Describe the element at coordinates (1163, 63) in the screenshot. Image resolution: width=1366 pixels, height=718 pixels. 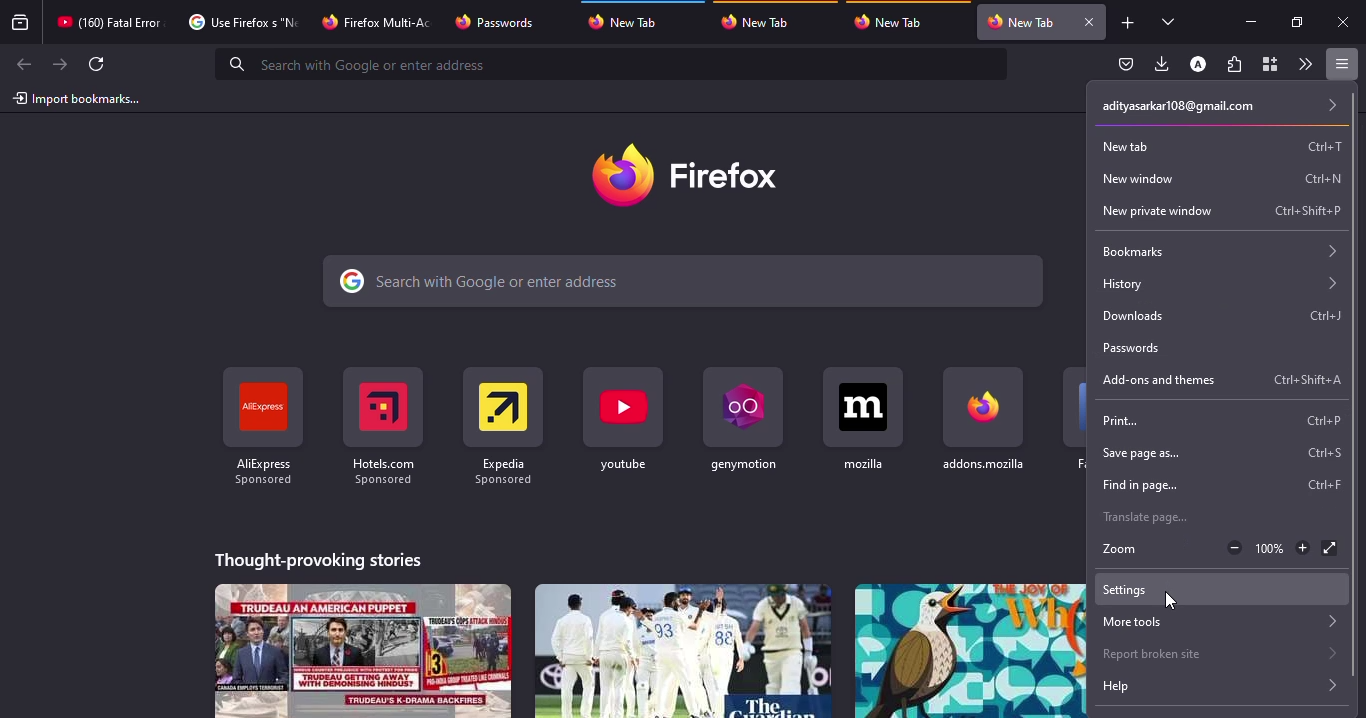
I see `downloads` at that location.